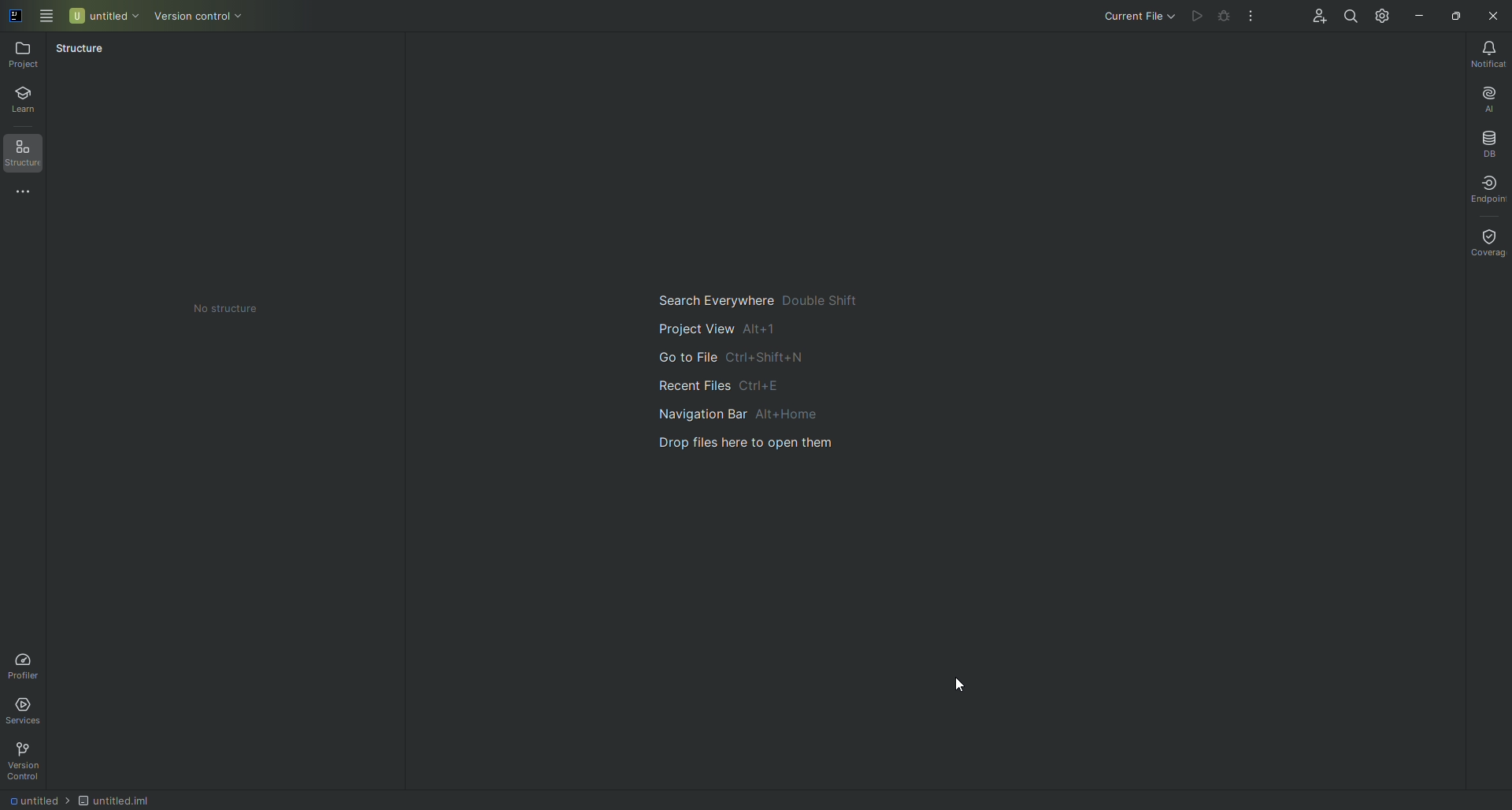 The width and height of the screenshot is (1512, 810). What do you see at coordinates (26, 152) in the screenshot?
I see `Structure` at bounding box center [26, 152].